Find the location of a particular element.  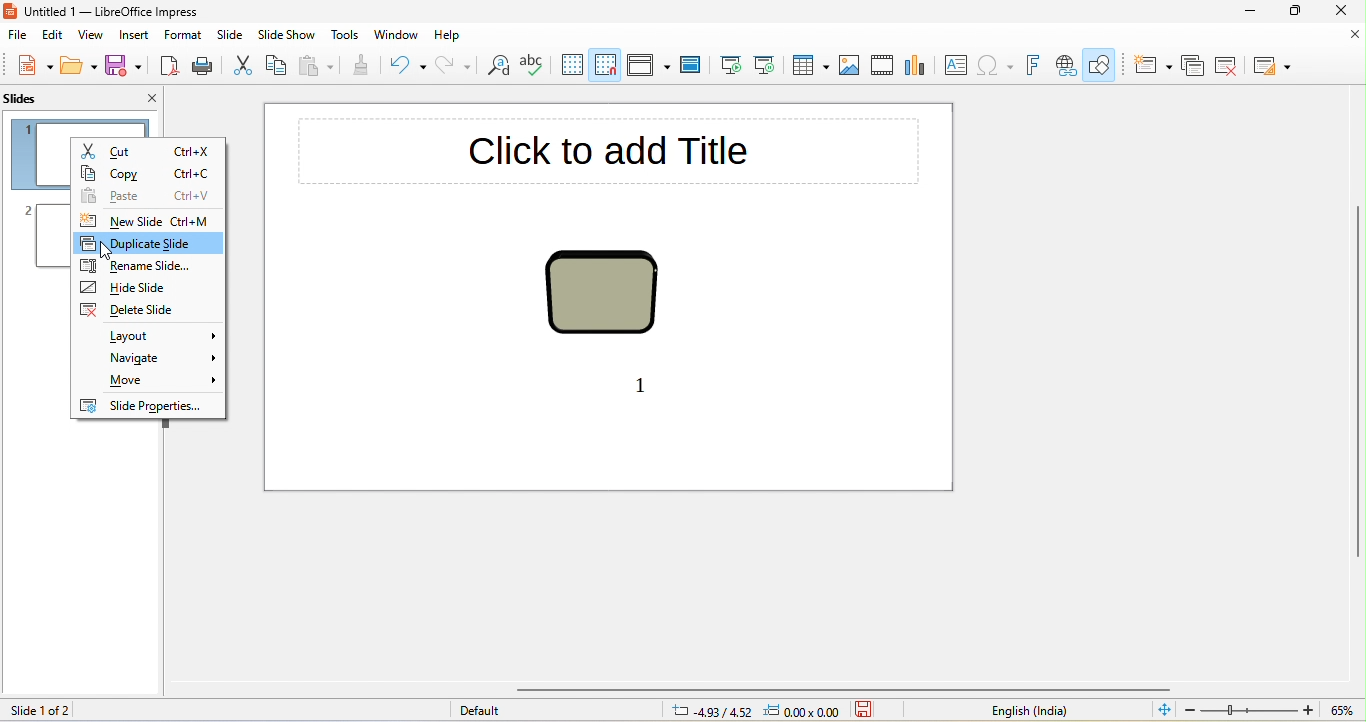

vertical scroll bar is located at coordinates (1357, 382).